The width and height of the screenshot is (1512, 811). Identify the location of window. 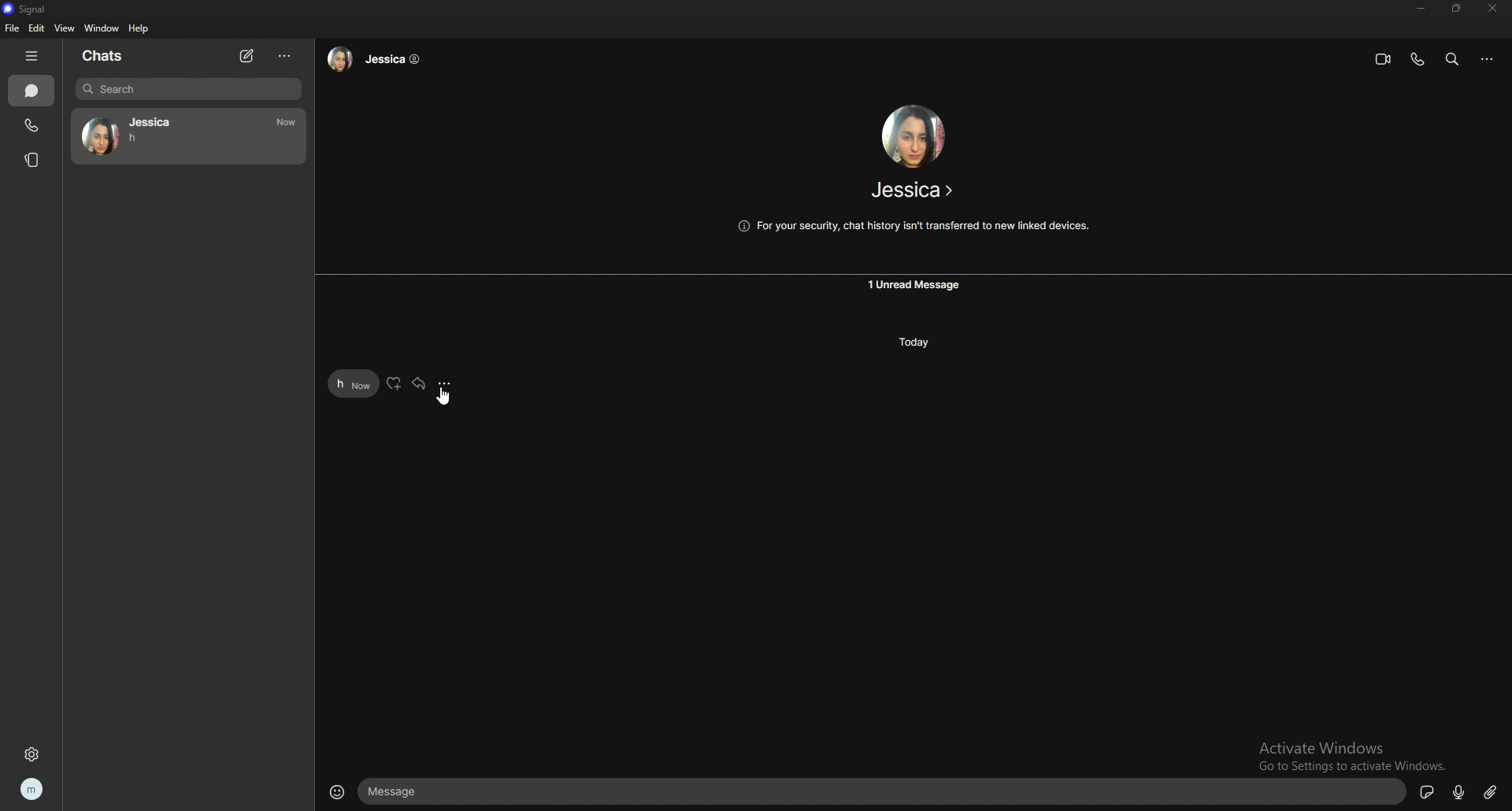
(102, 28).